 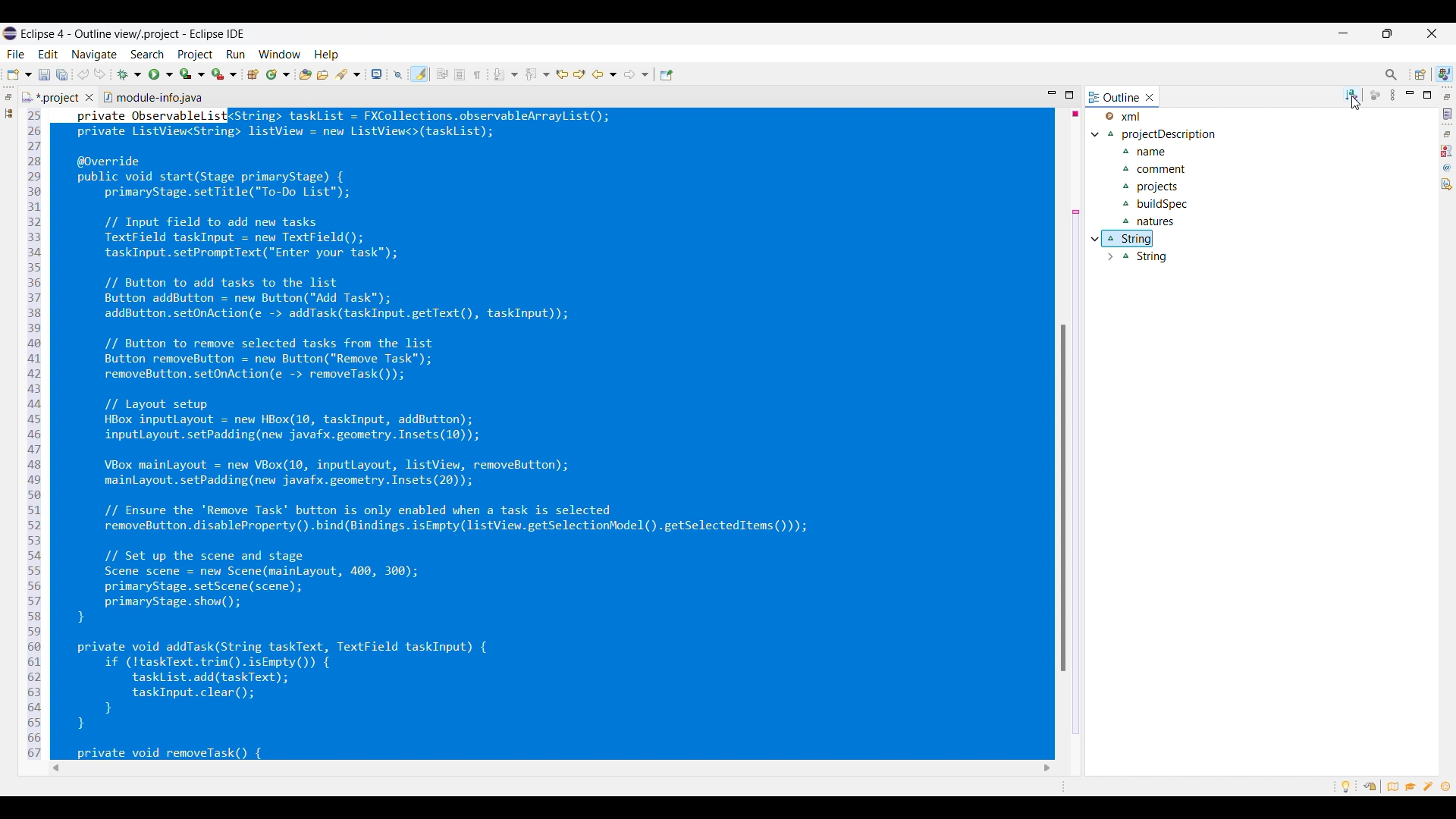 I want to click on Problems, so click(x=1447, y=151).